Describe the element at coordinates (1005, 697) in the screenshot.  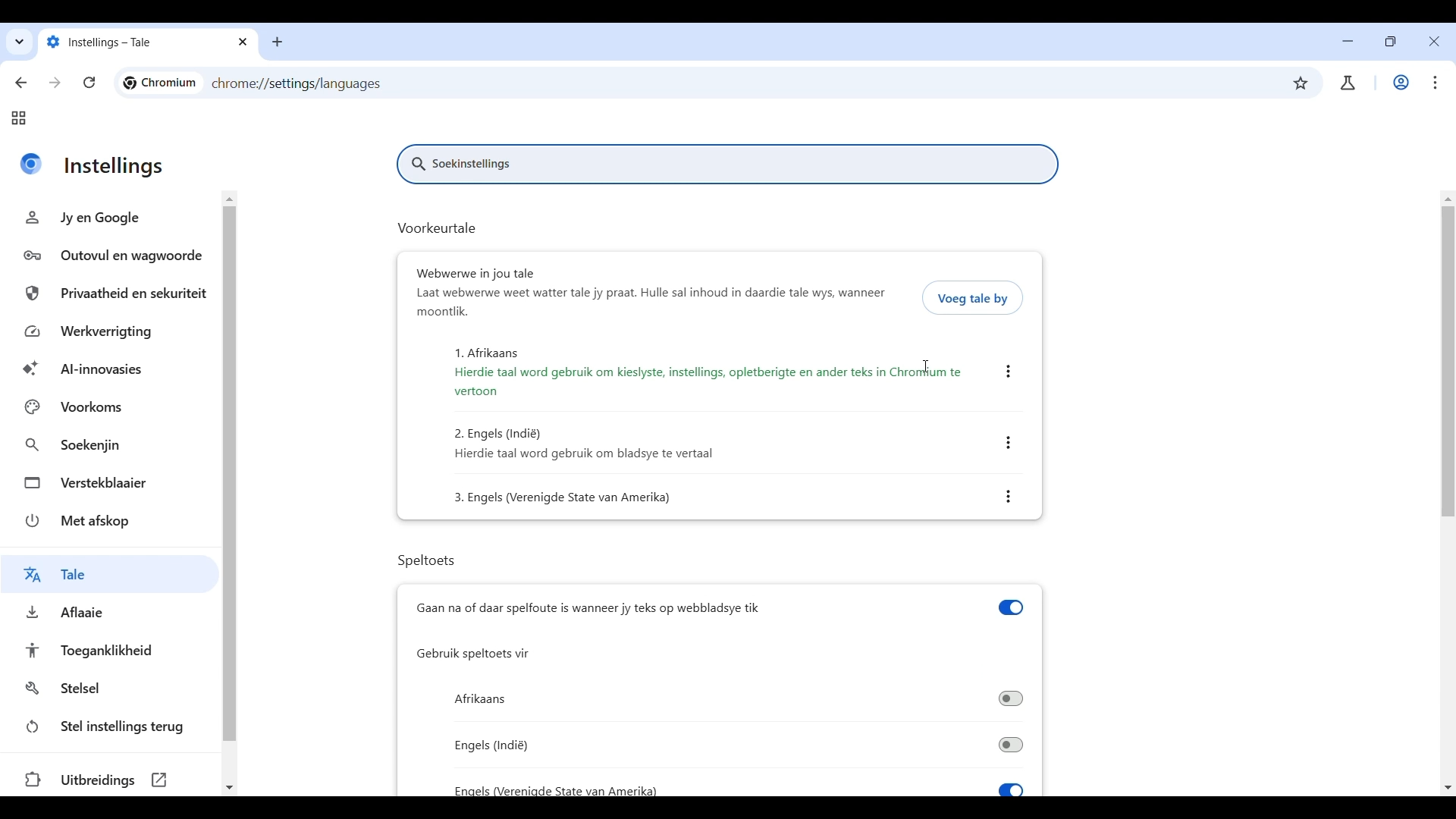
I see `toggle switch` at that location.